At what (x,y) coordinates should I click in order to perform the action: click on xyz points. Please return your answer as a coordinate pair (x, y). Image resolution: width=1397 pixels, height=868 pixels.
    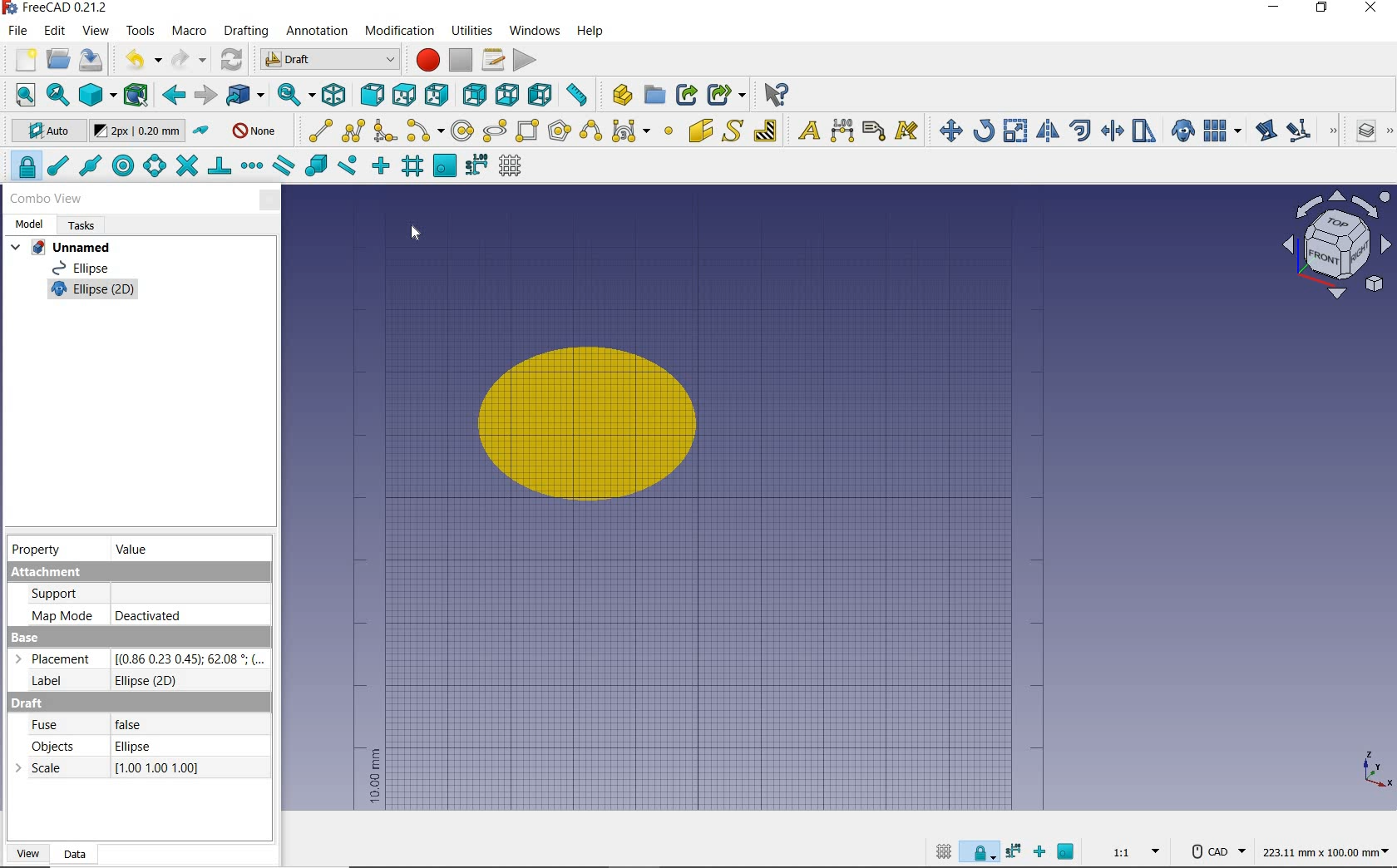
    Looking at the image, I should click on (1376, 771).